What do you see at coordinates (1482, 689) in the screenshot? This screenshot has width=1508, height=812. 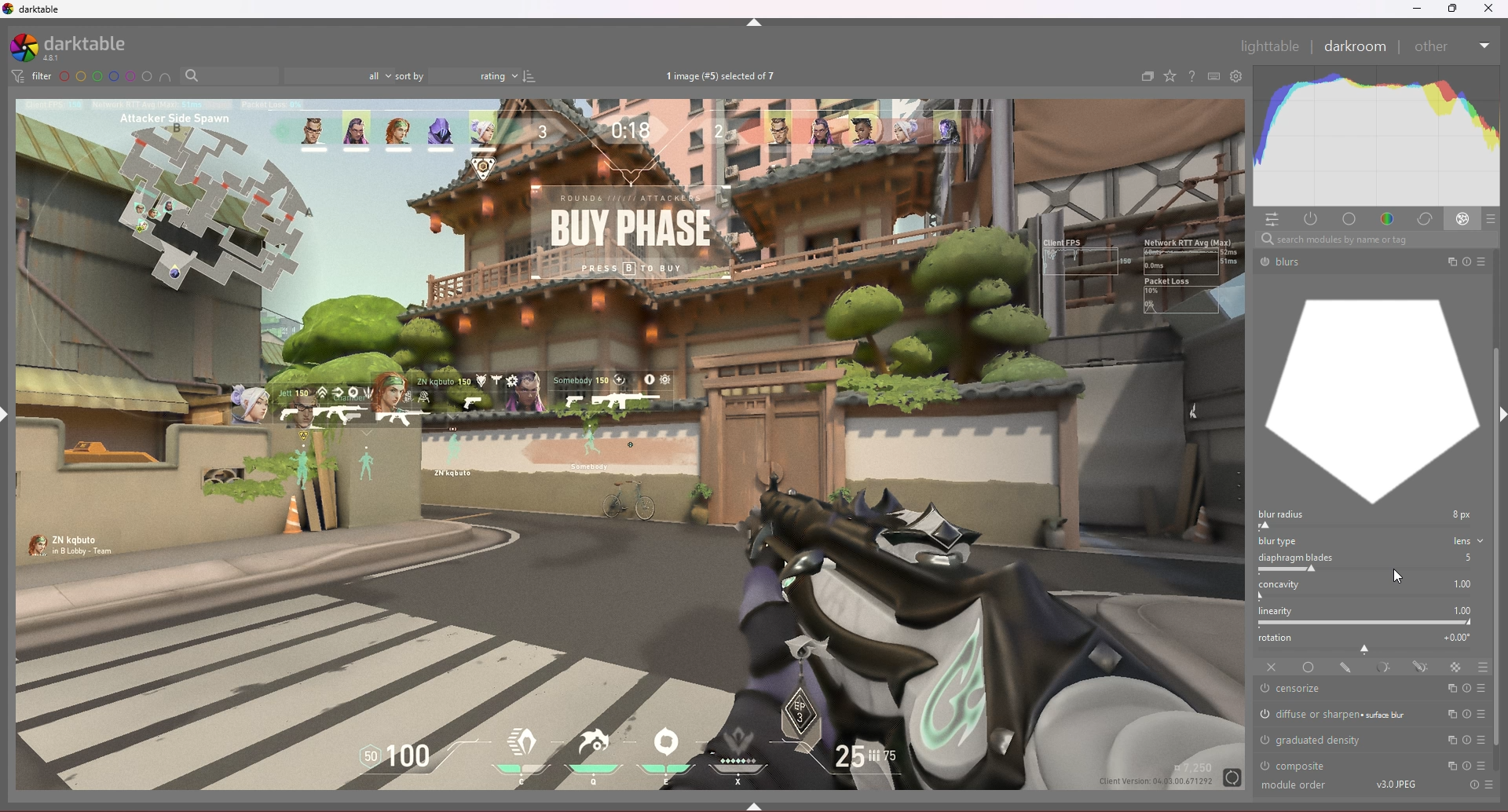 I see `presets` at bounding box center [1482, 689].